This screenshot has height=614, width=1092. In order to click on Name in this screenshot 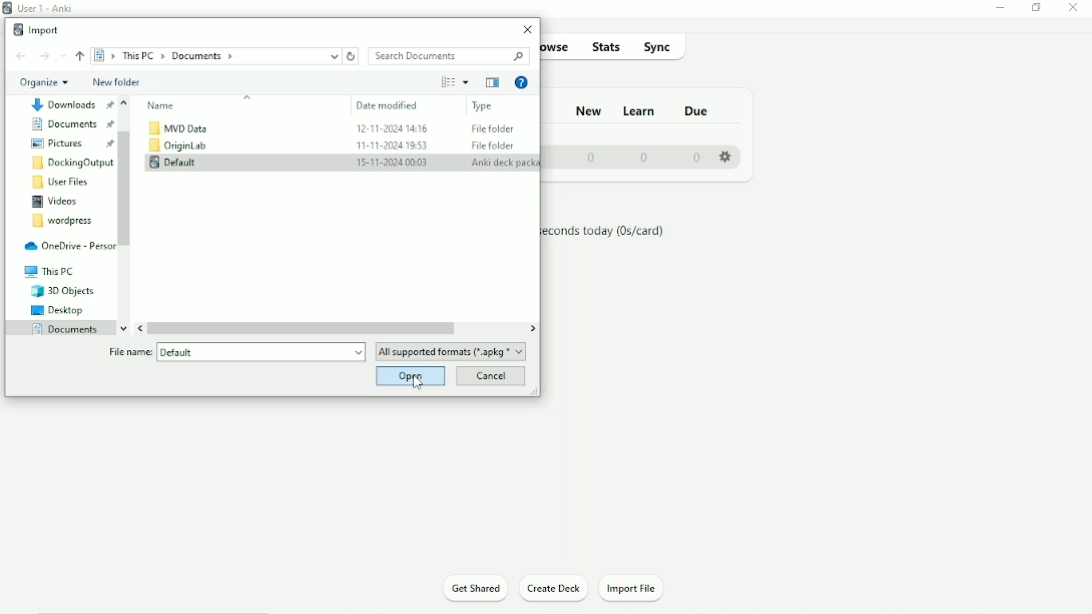, I will do `click(164, 105)`.